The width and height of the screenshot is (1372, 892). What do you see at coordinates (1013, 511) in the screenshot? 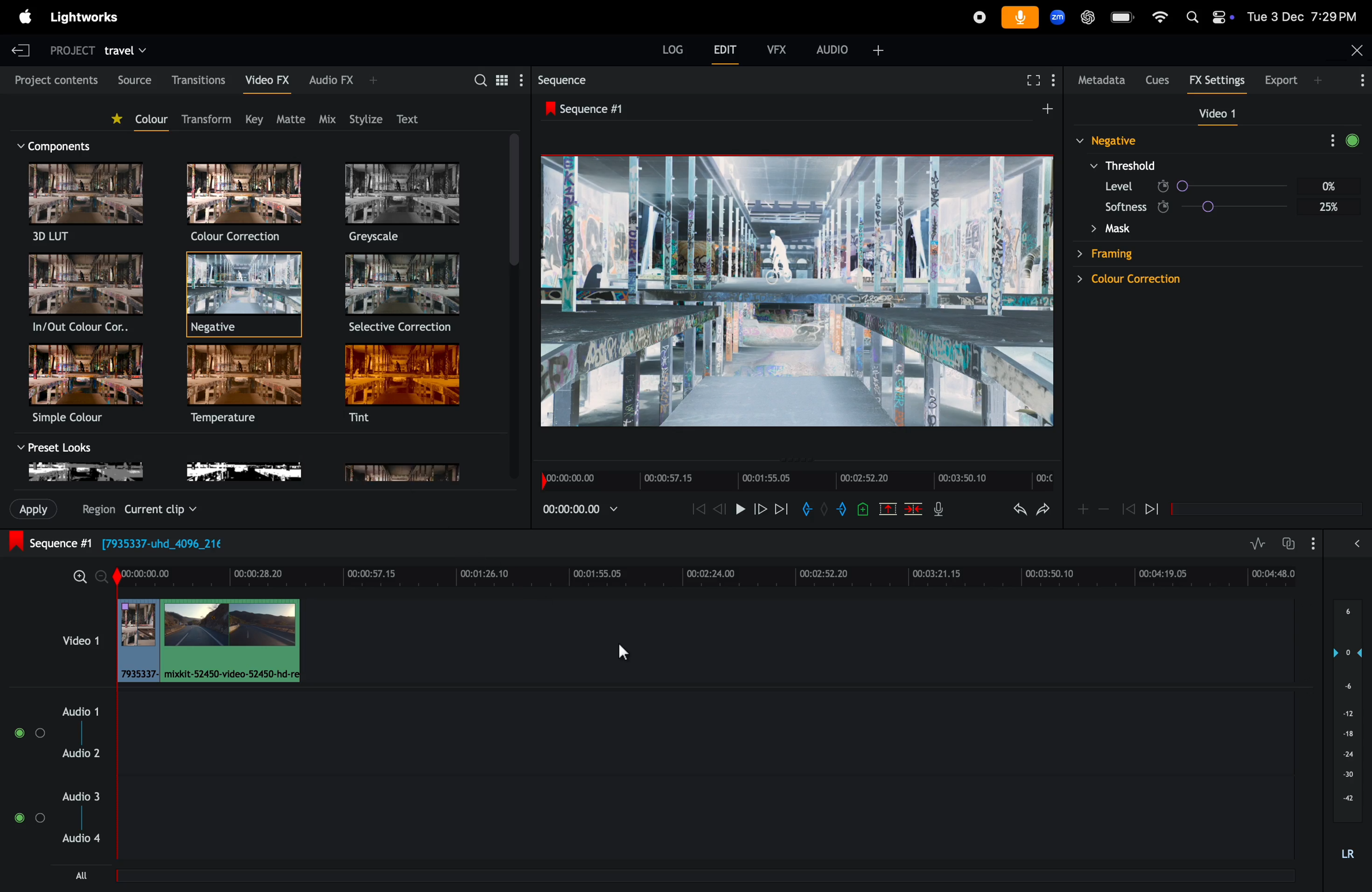
I see `undo` at bounding box center [1013, 511].